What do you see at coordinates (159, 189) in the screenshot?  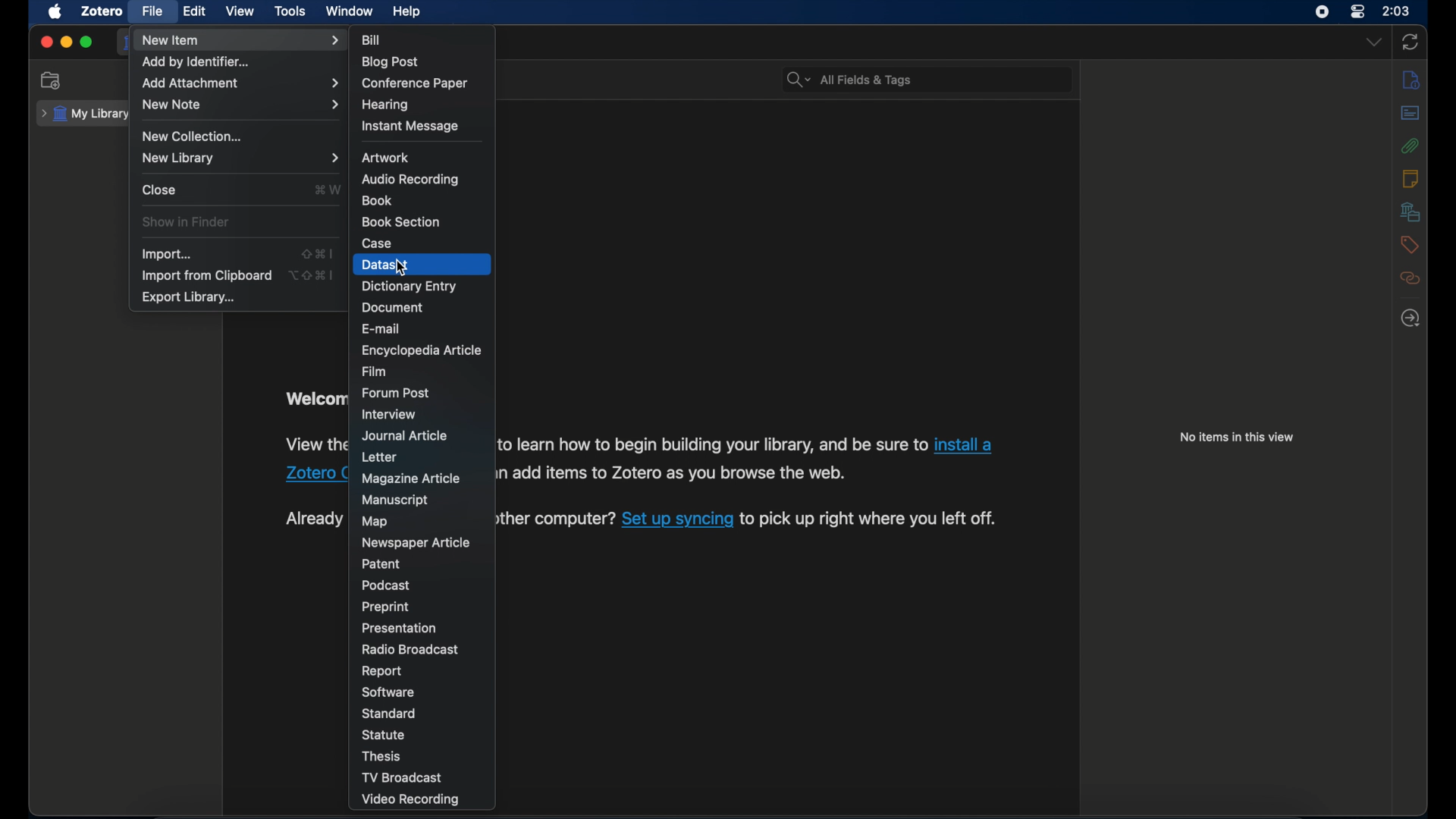 I see `close` at bounding box center [159, 189].